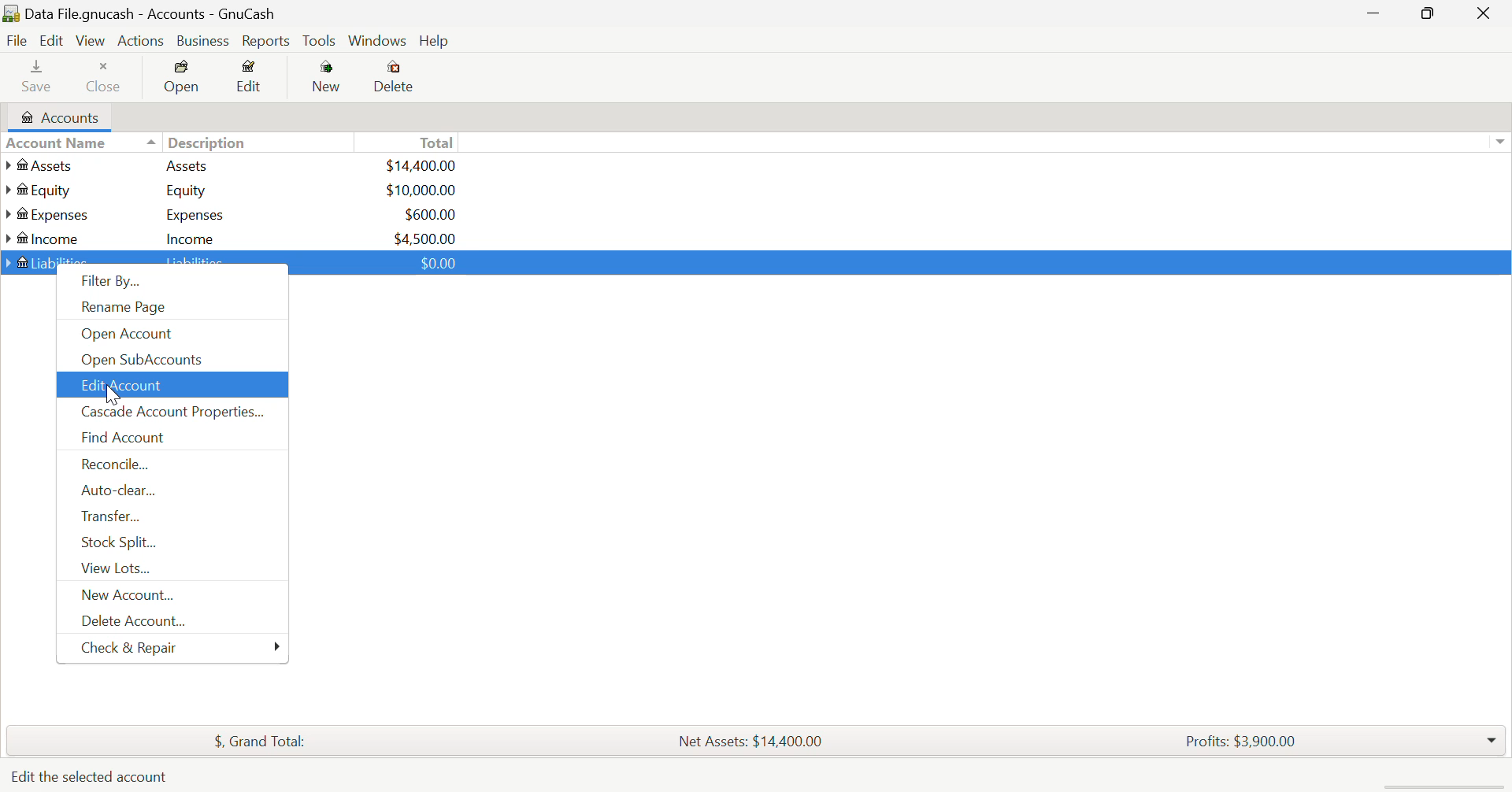 This screenshot has height=792, width=1512. What do you see at coordinates (170, 359) in the screenshot?
I see `Open Subaccounts` at bounding box center [170, 359].